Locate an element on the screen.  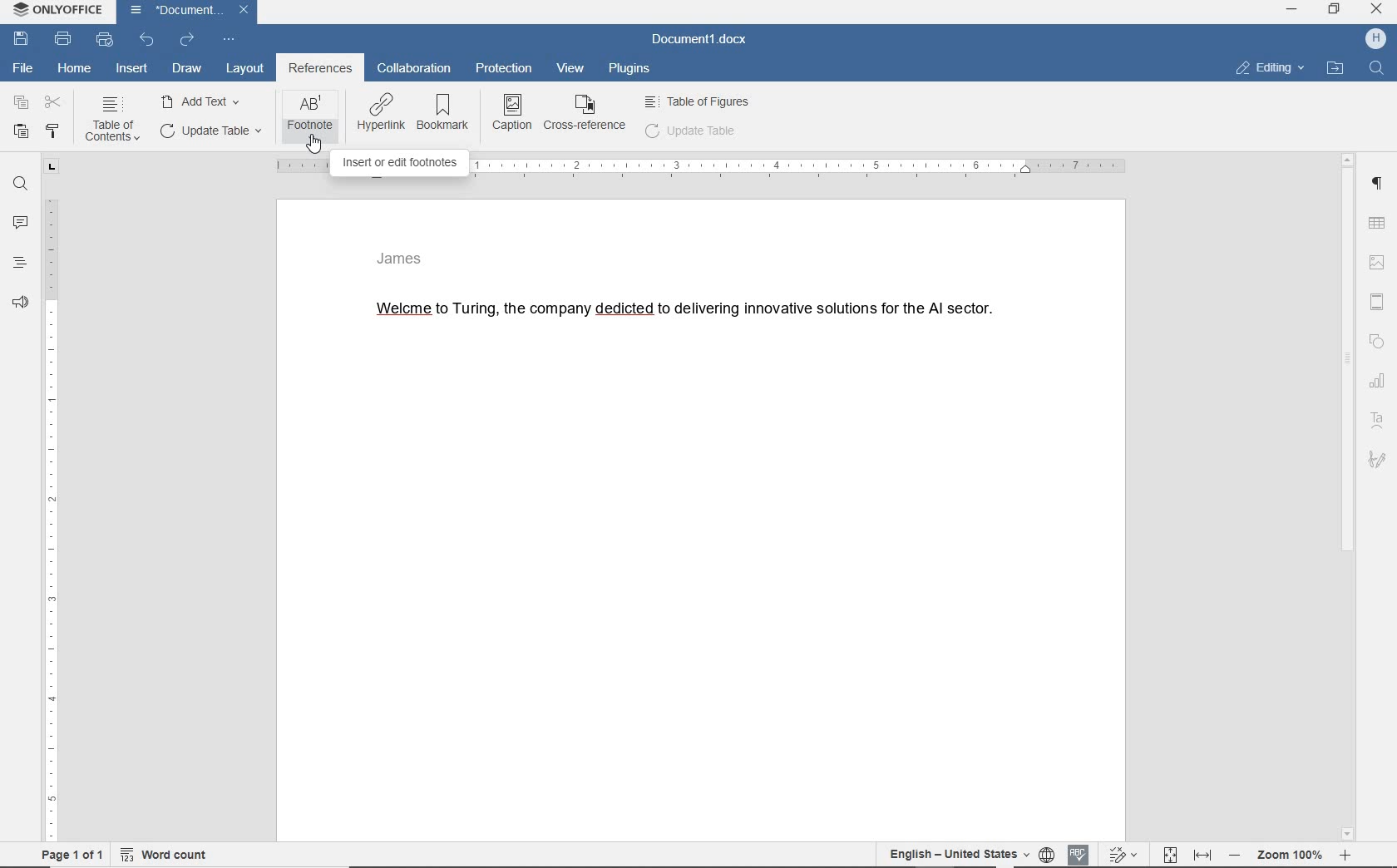
hyperlink is located at coordinates (381, 114).